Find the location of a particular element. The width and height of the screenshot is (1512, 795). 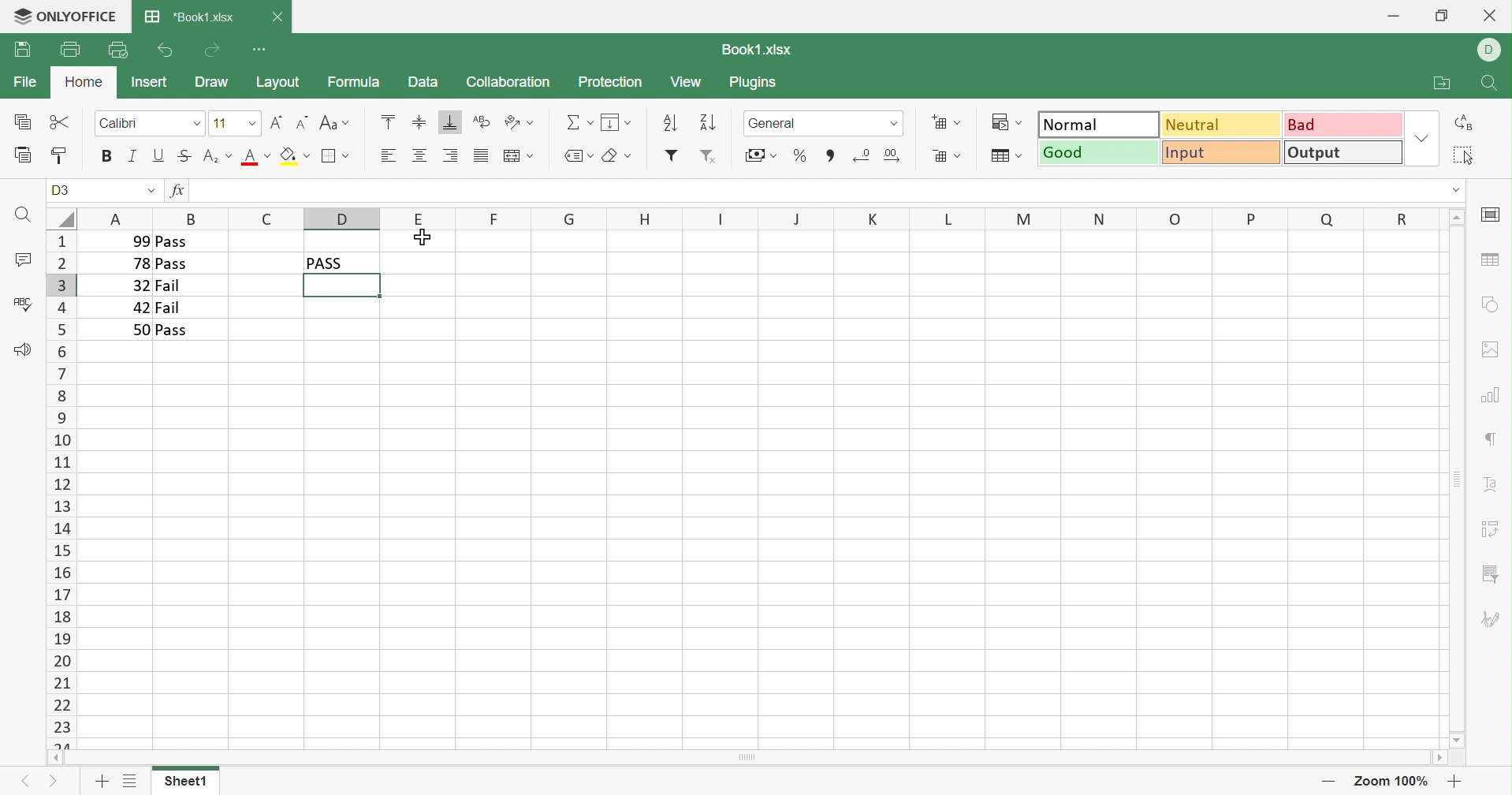

Drop down is located at coordinates (151, 192).